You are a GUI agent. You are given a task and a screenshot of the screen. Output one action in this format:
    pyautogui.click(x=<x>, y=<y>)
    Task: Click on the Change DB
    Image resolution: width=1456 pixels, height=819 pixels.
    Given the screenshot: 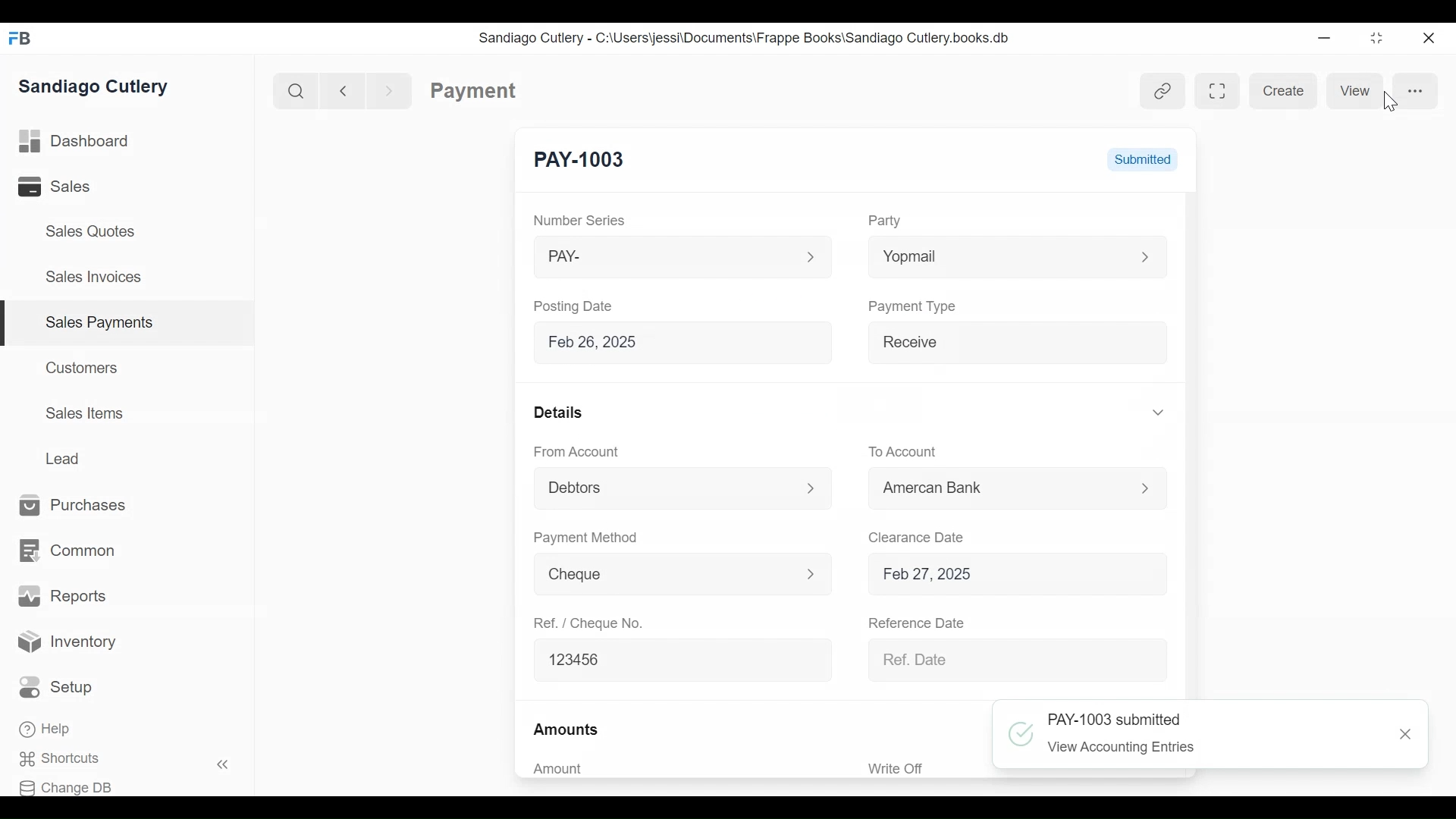 What is the action you would take?
    pyautogui.click(x=71, y=786)
    